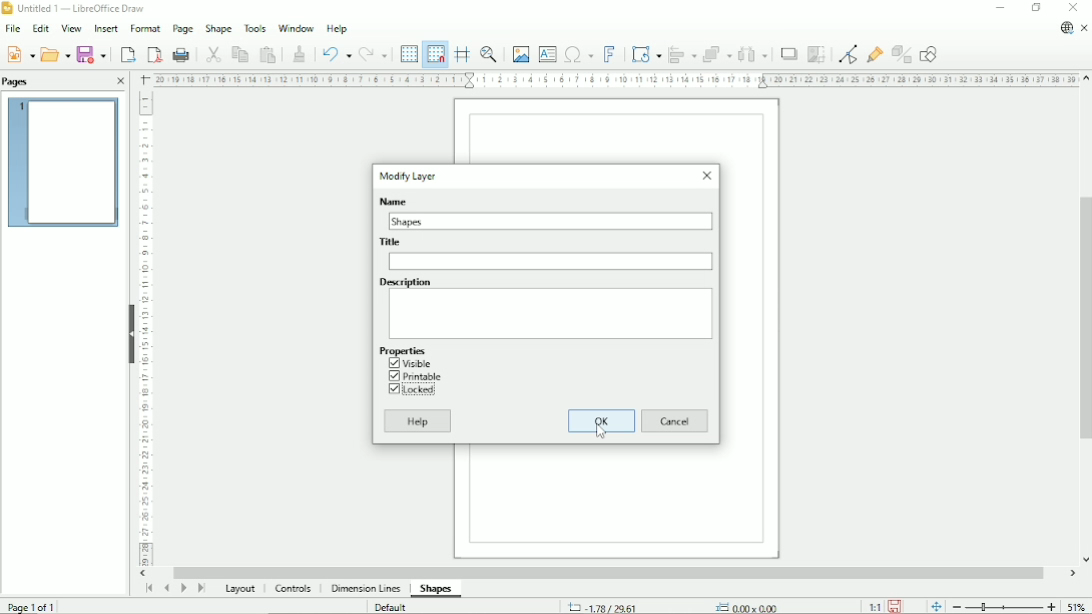 The image size is (1092, 614). I want to click on Default, so click(392, 606).